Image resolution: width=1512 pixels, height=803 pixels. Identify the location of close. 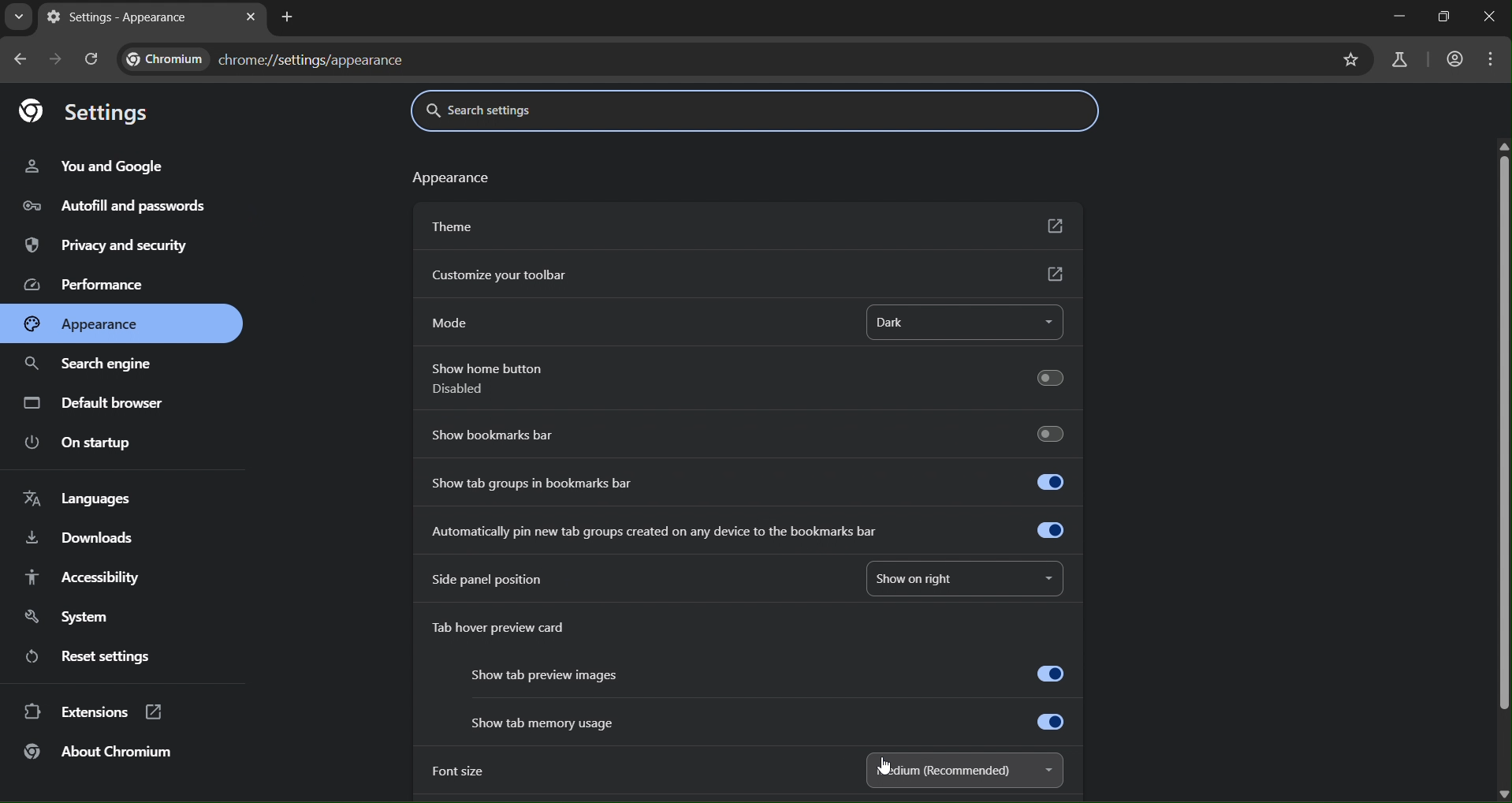
(1490, 18).